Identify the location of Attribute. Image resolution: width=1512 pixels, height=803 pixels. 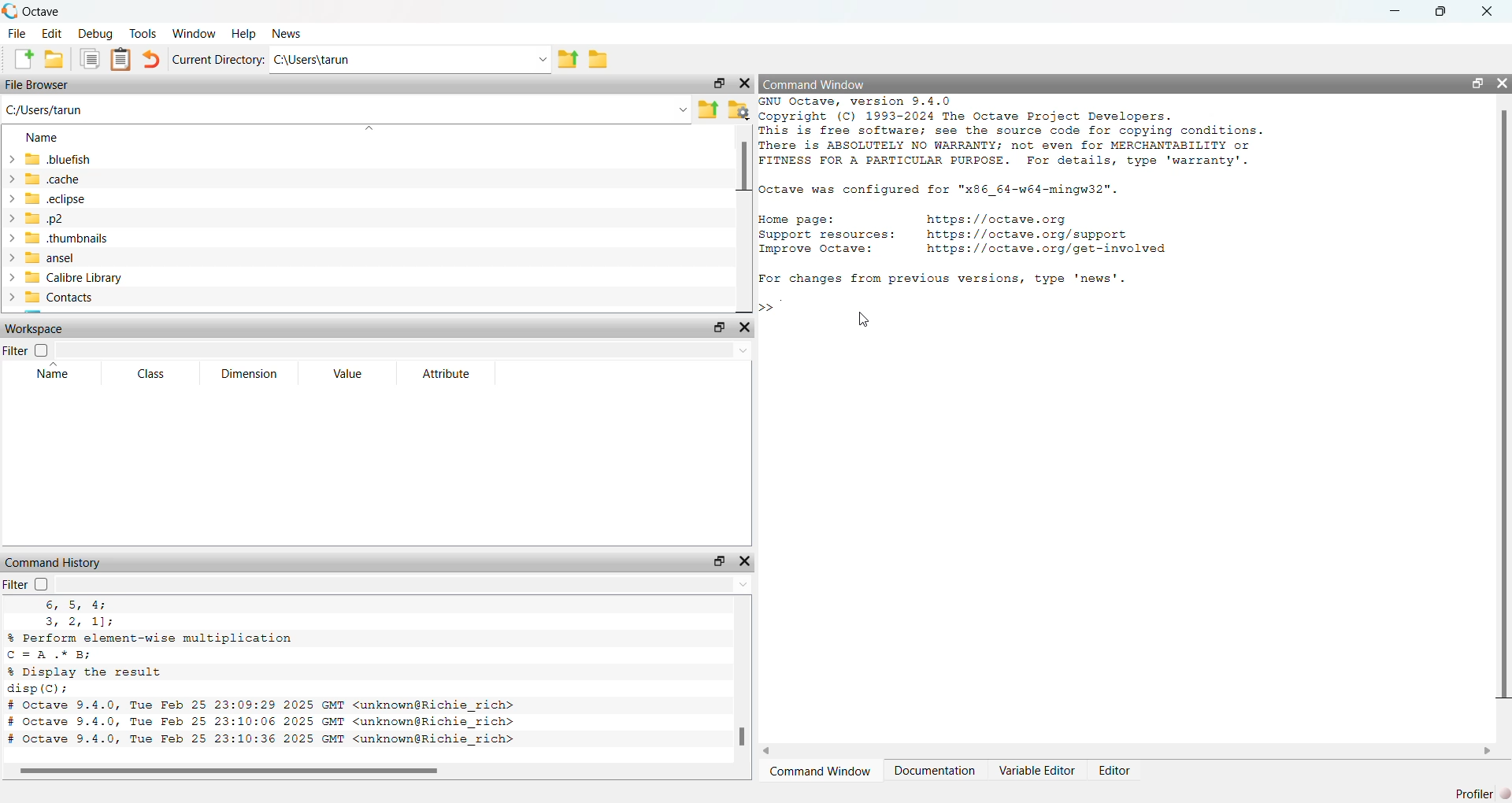
(450, 373).